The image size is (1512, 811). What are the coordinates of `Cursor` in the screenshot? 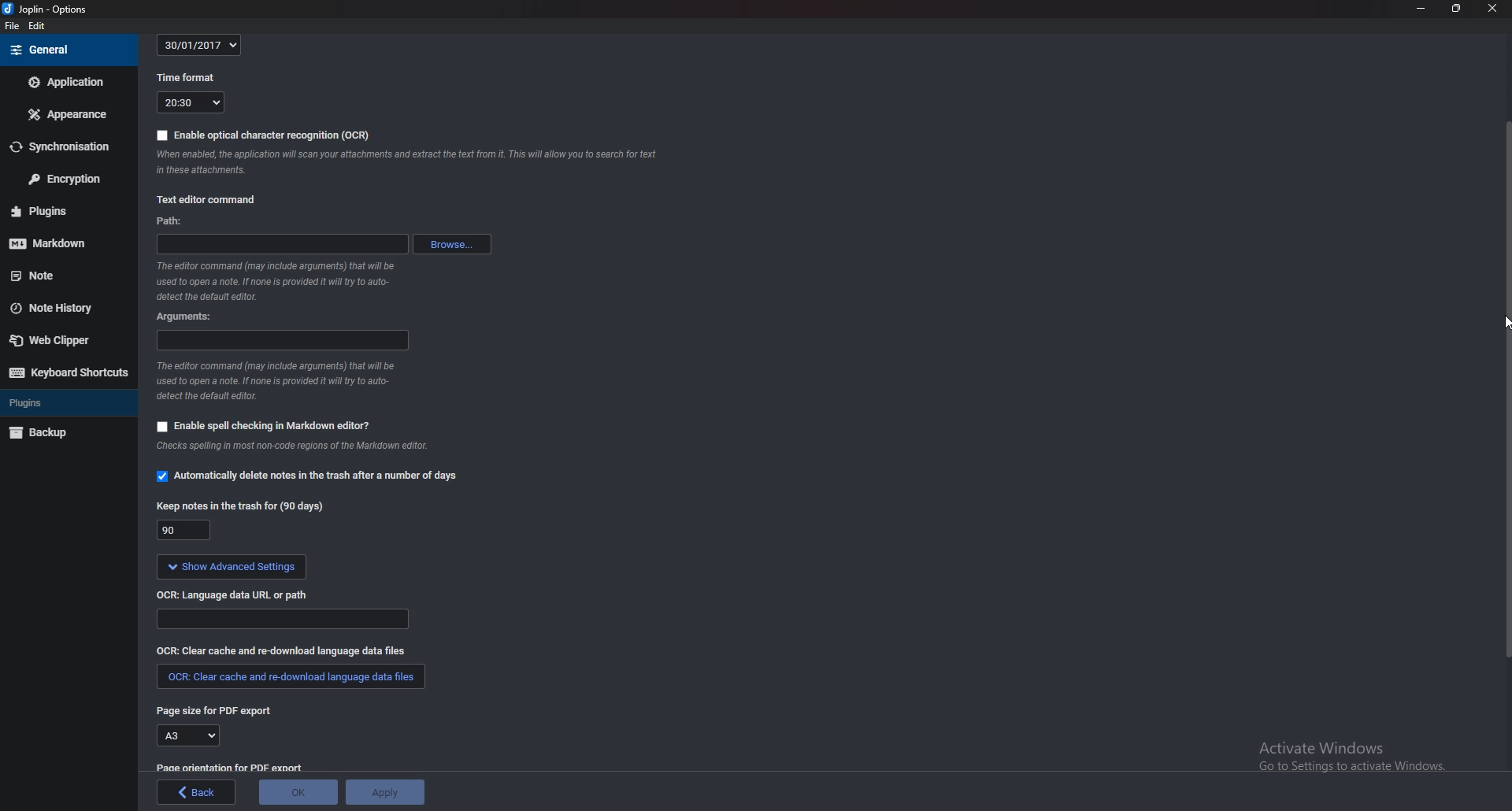 It's located at (1507, 323).